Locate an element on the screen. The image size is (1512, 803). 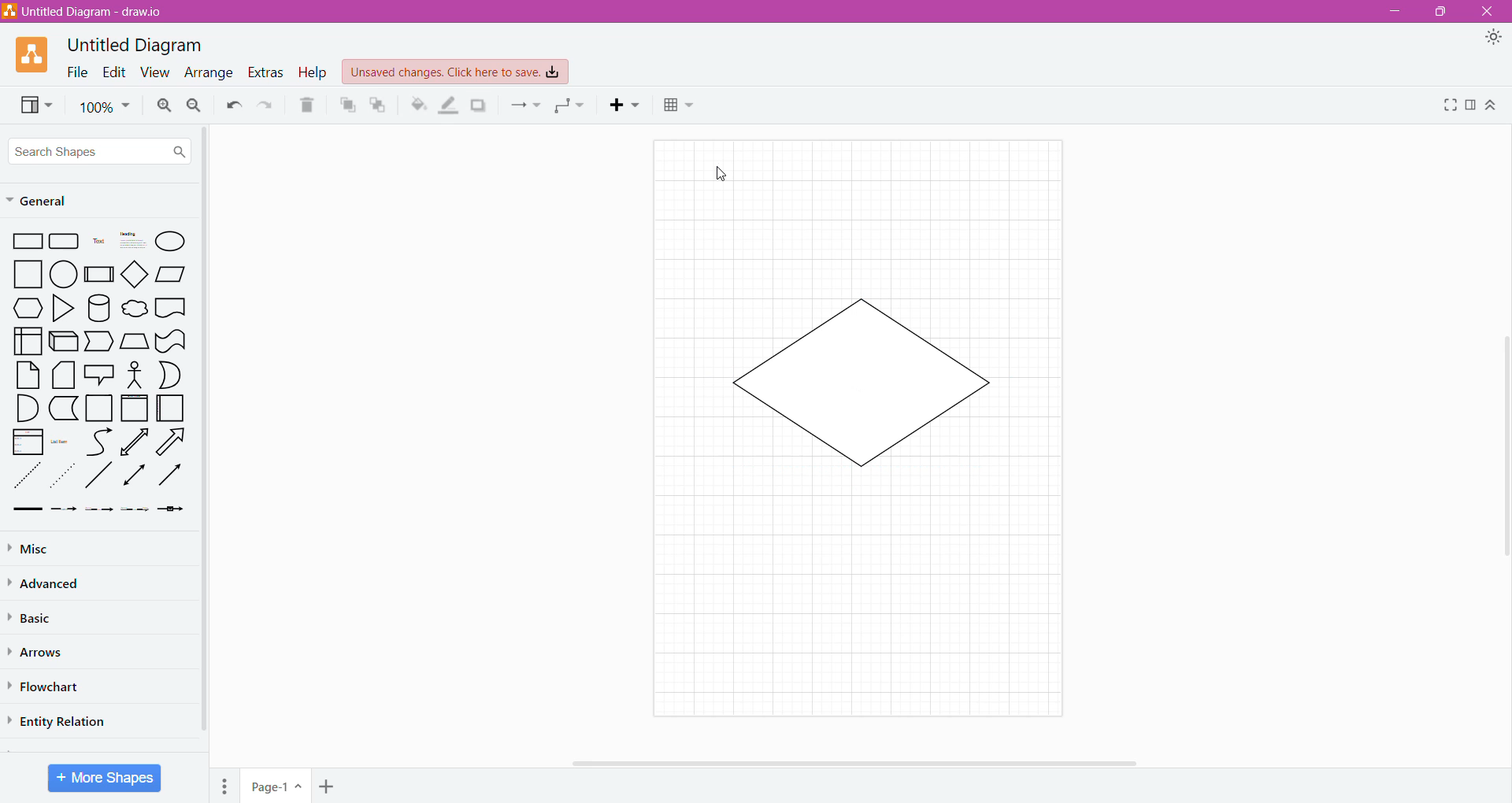
Process is located at coordinates (100, 273).